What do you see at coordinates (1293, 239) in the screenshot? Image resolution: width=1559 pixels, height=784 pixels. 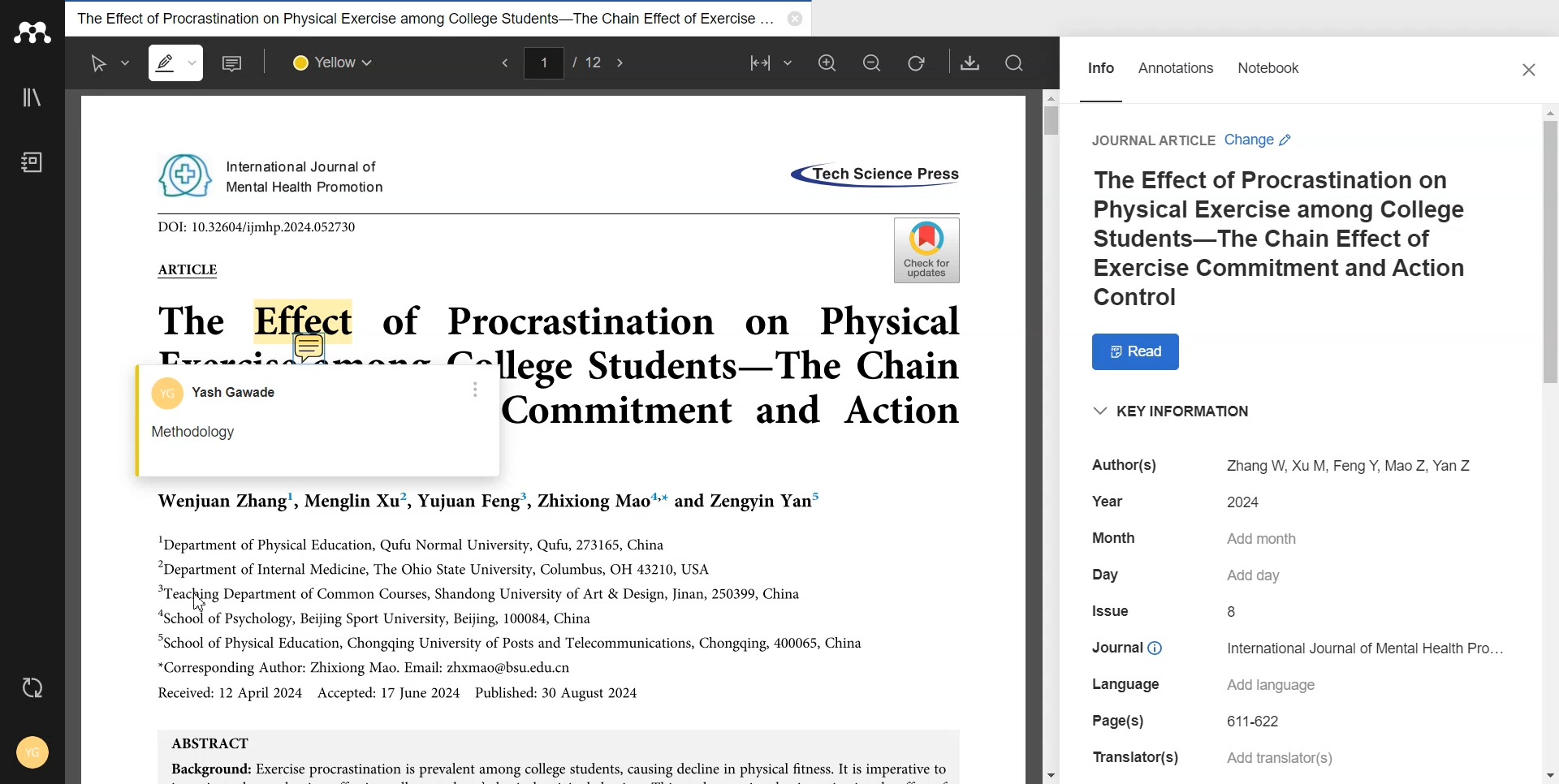 I see ` The Effect of Procrastination on Physical Exercise among College Students-The Chain Effect of Exercise Commitment and Action Control` at bounding box center [1293, 239].